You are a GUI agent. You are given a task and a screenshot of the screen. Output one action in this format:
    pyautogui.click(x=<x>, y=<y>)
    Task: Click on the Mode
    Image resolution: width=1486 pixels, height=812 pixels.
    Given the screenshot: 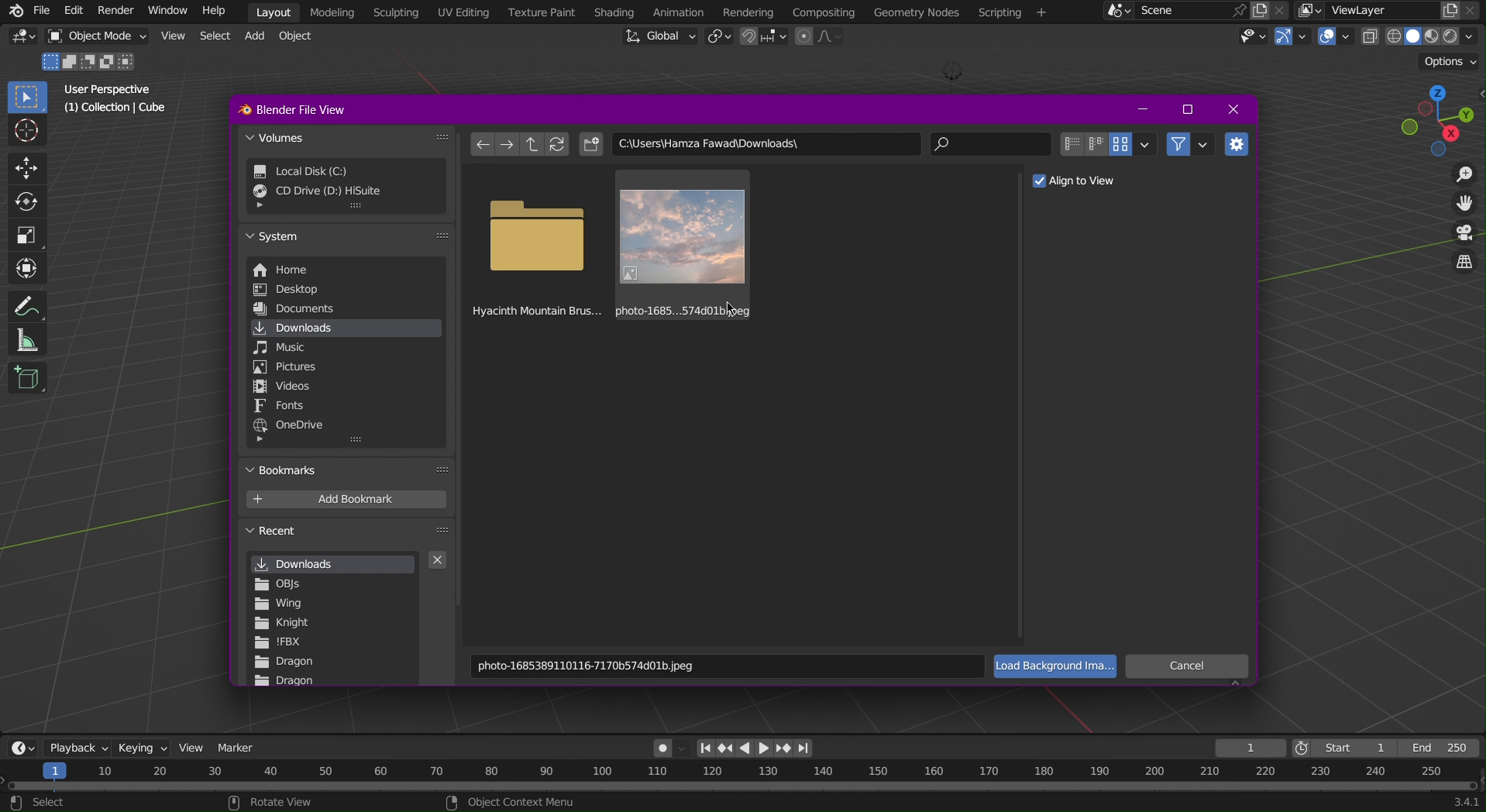 What is the action you would take?
    pyautogui.click(x=91, y=62)
    